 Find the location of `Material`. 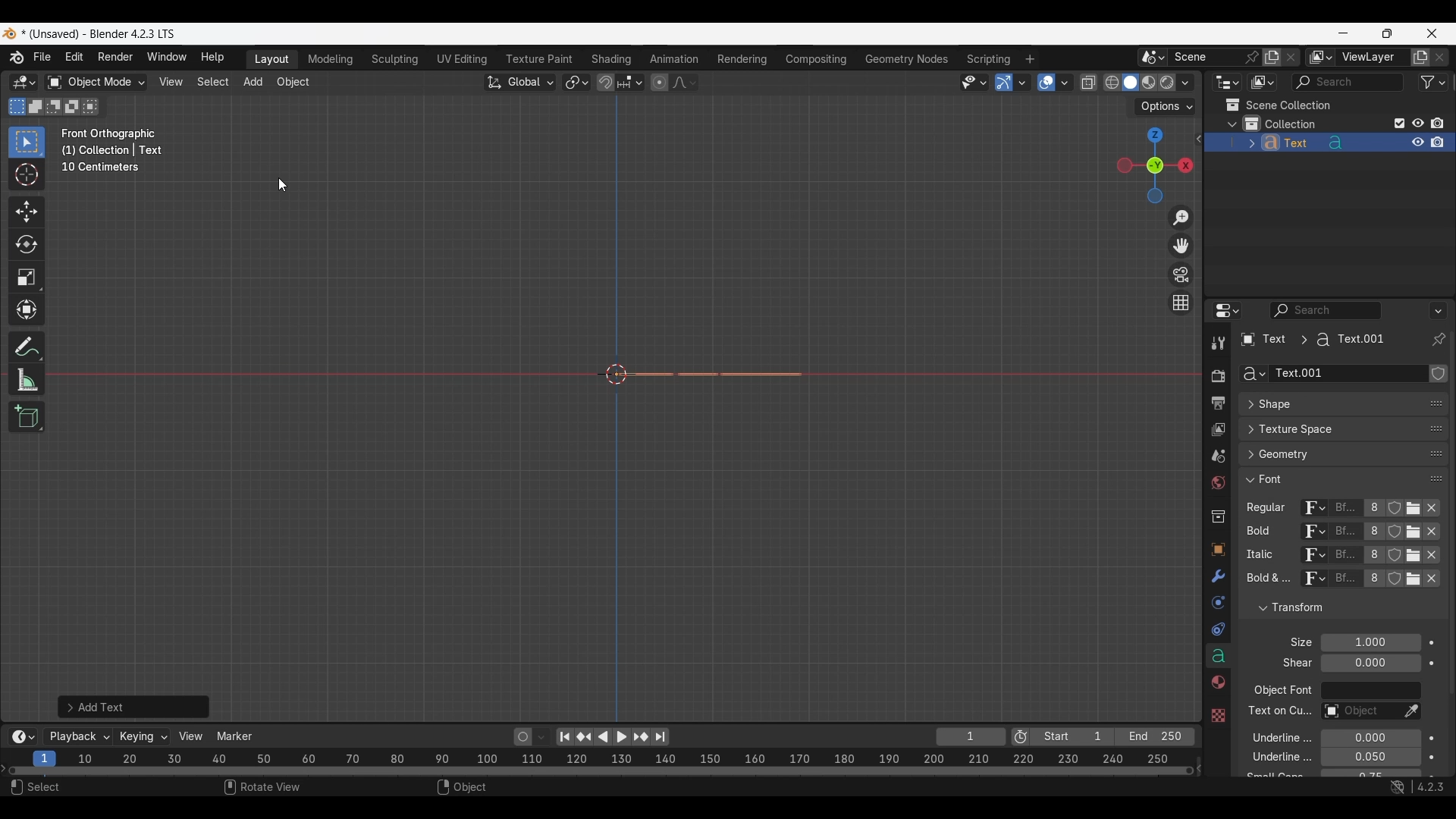

Material is located at coordinates (1216, 683).